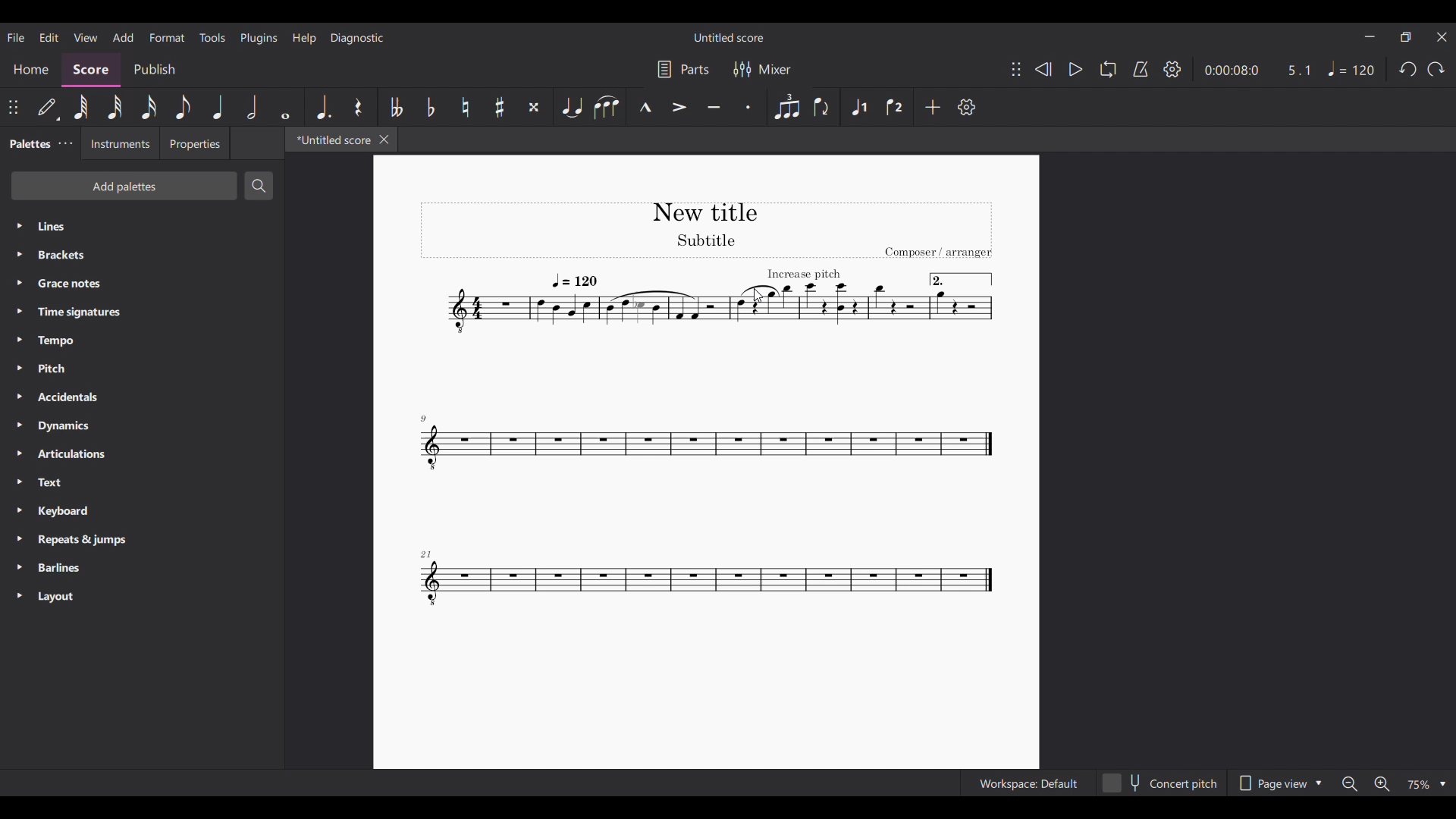 The width and height of the screenshot is (1456, 819). What do you see at coordinates (1279, 783) in the screenshot?
I see `Page view options` at bounding box center [1279, 783].